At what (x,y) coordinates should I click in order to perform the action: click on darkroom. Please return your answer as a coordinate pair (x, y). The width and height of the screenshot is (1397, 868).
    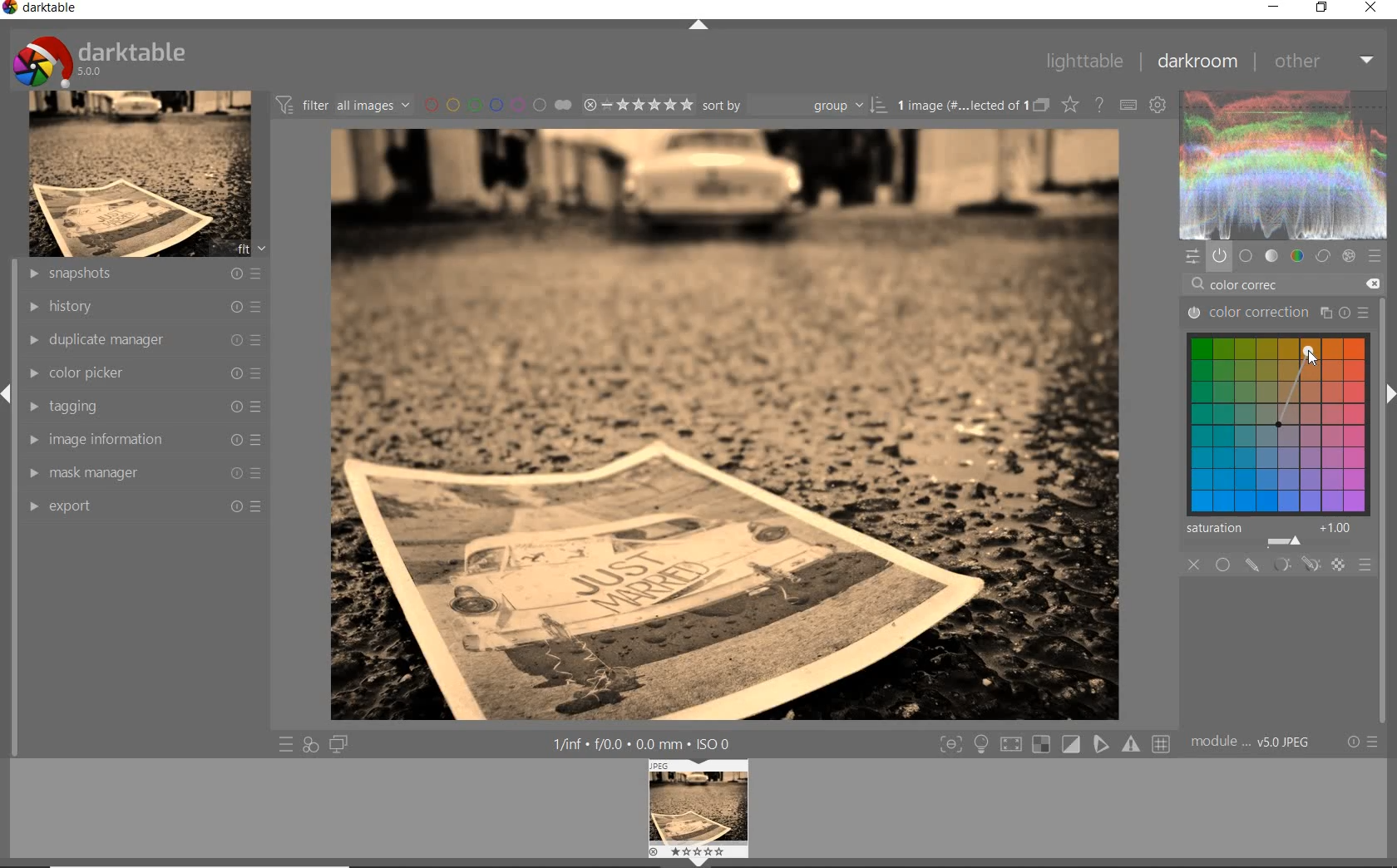
    Looking at the image, I should click on (1196, 59).